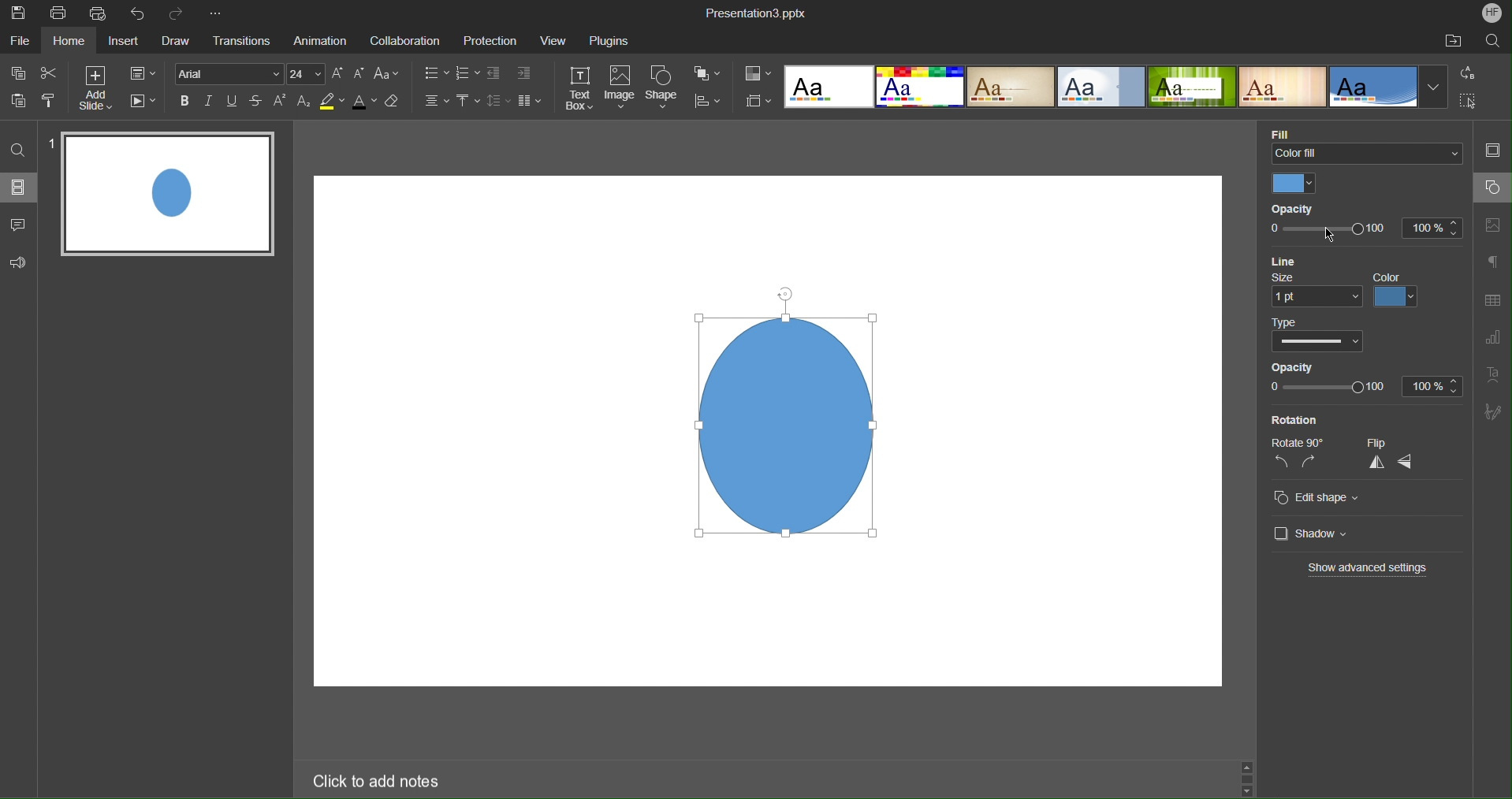  What do you see at coordinates (378, 781) in the screenshot?
I see `Click to add notes` at bounding box center [378, 781].